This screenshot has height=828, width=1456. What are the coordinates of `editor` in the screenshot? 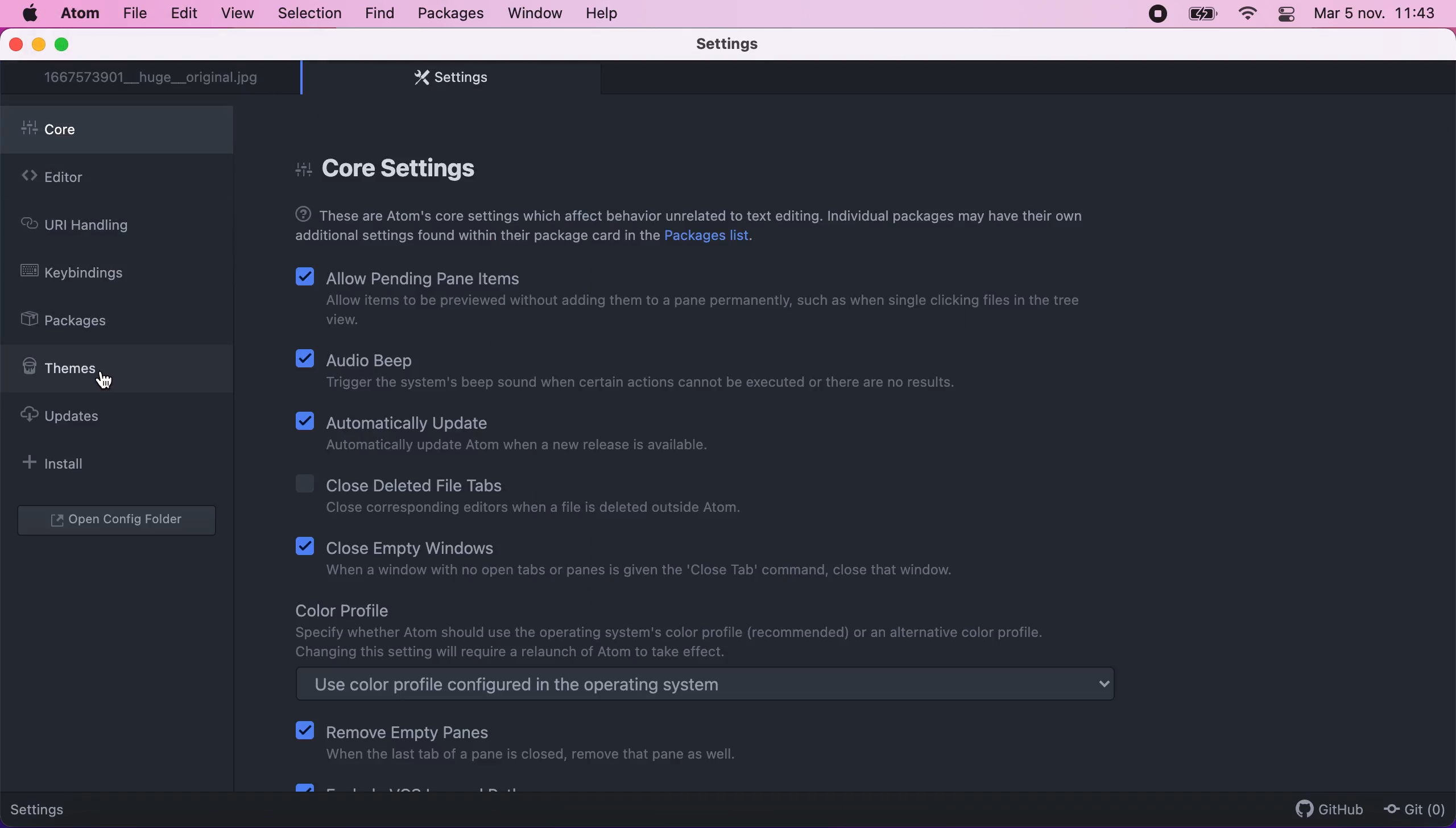 It's located at (88, 179).